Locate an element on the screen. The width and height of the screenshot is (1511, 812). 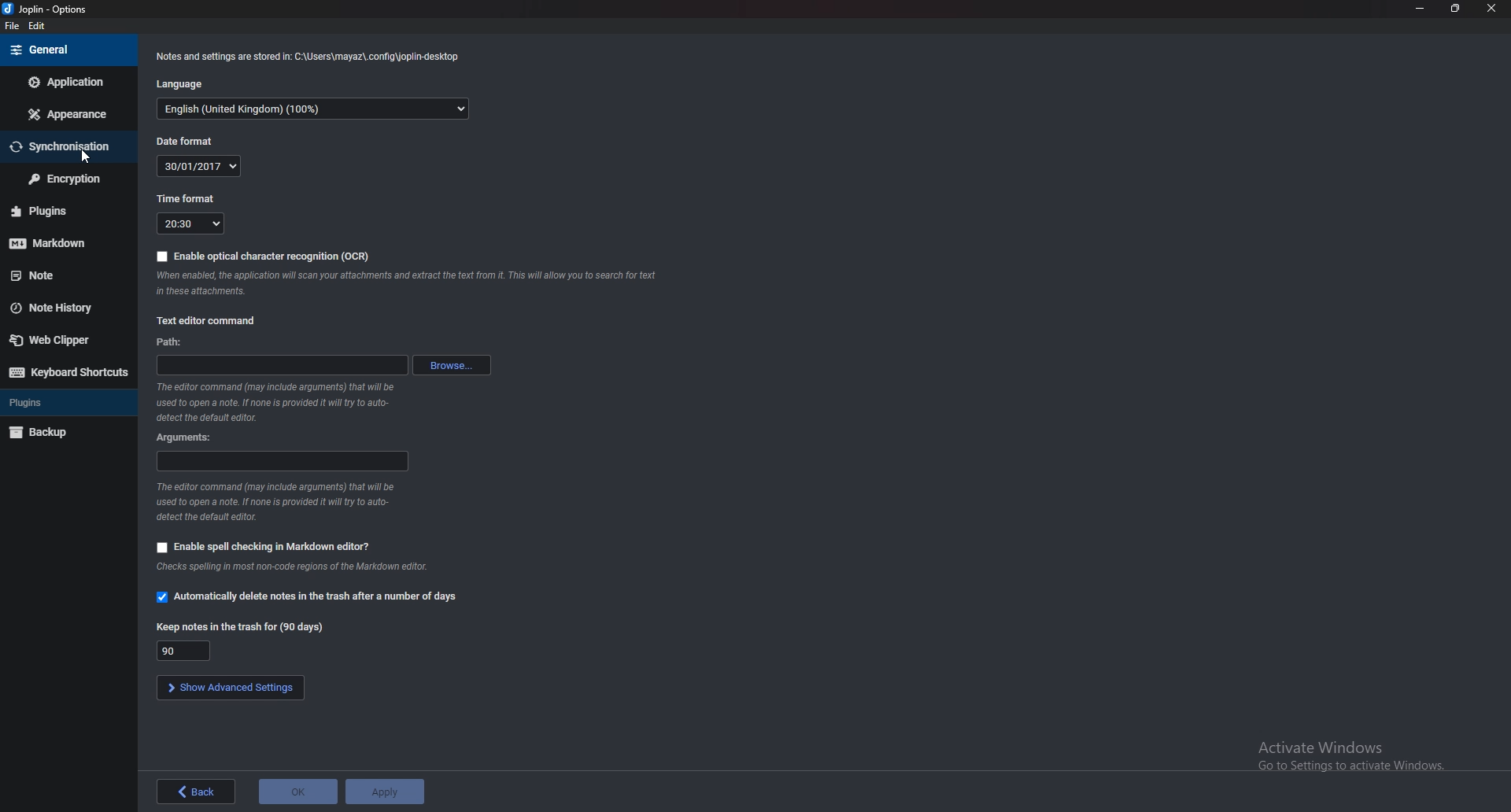
back is located at coordinates (193, 791).